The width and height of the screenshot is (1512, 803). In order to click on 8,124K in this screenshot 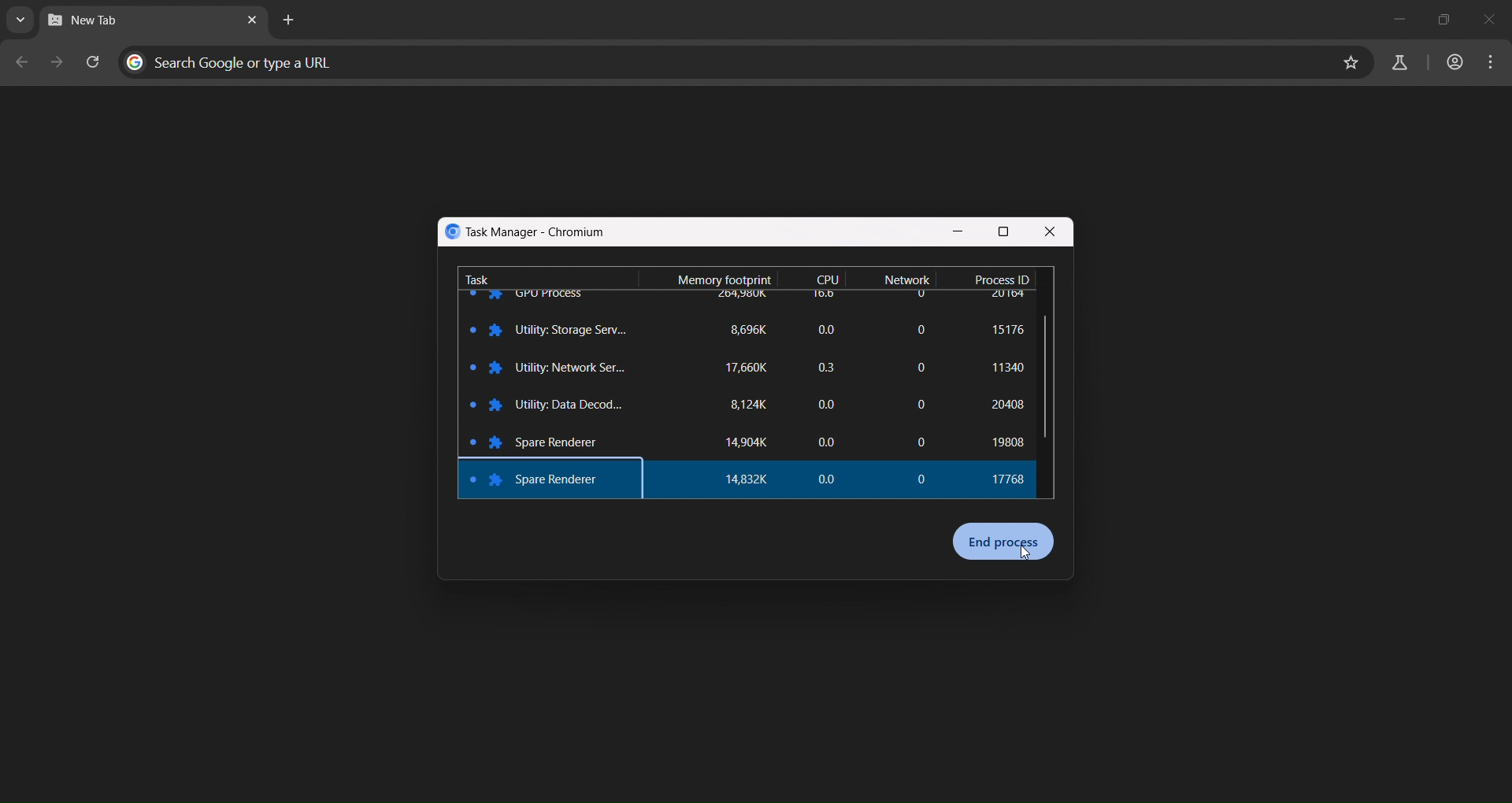, I will do `click(749, 407)`.